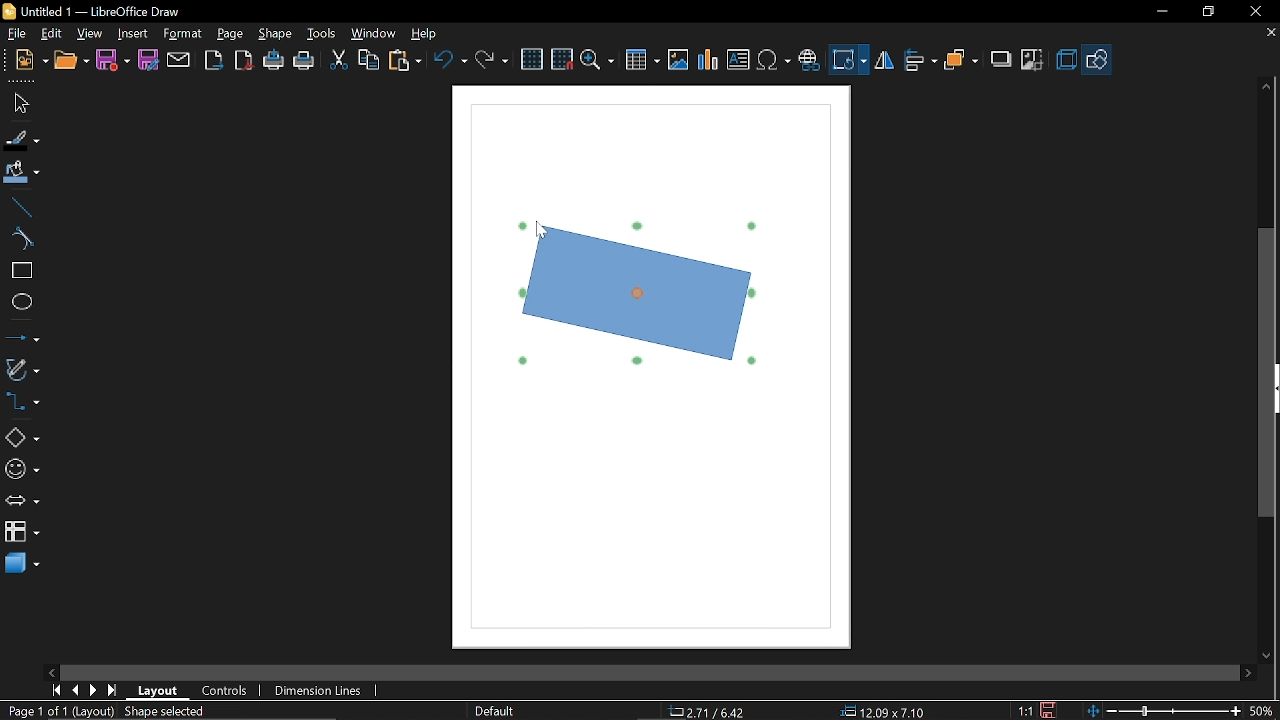 The height and width of the screenshot is (720, 1280). What do you see at coordinates (215, 61) in the screenshot?
I see `Import` at bounding box center [215, 61].